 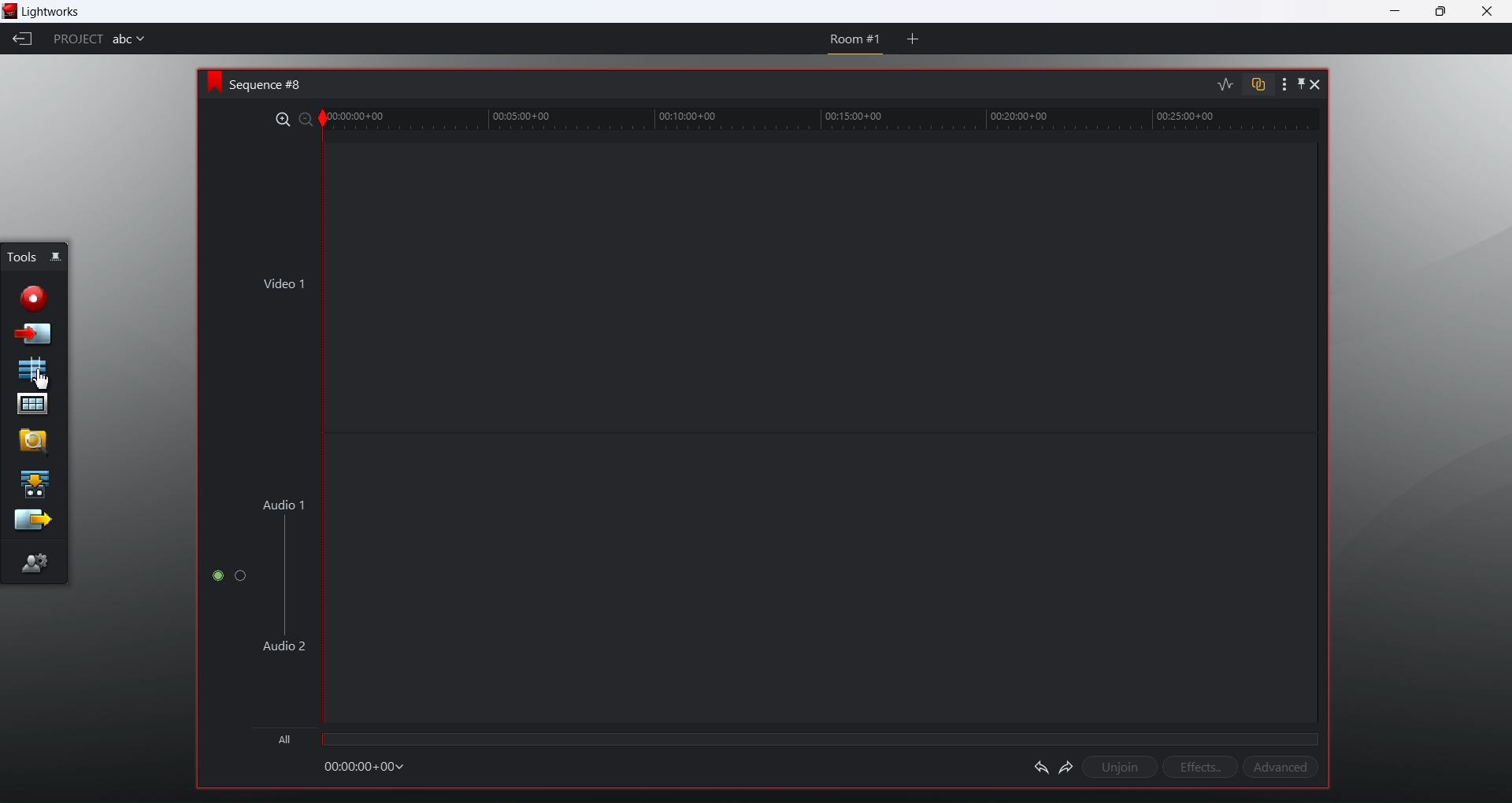 What do you see at coordinates (283, 738) in the screenshot?
I see `all` at bounding box center [283, 738].